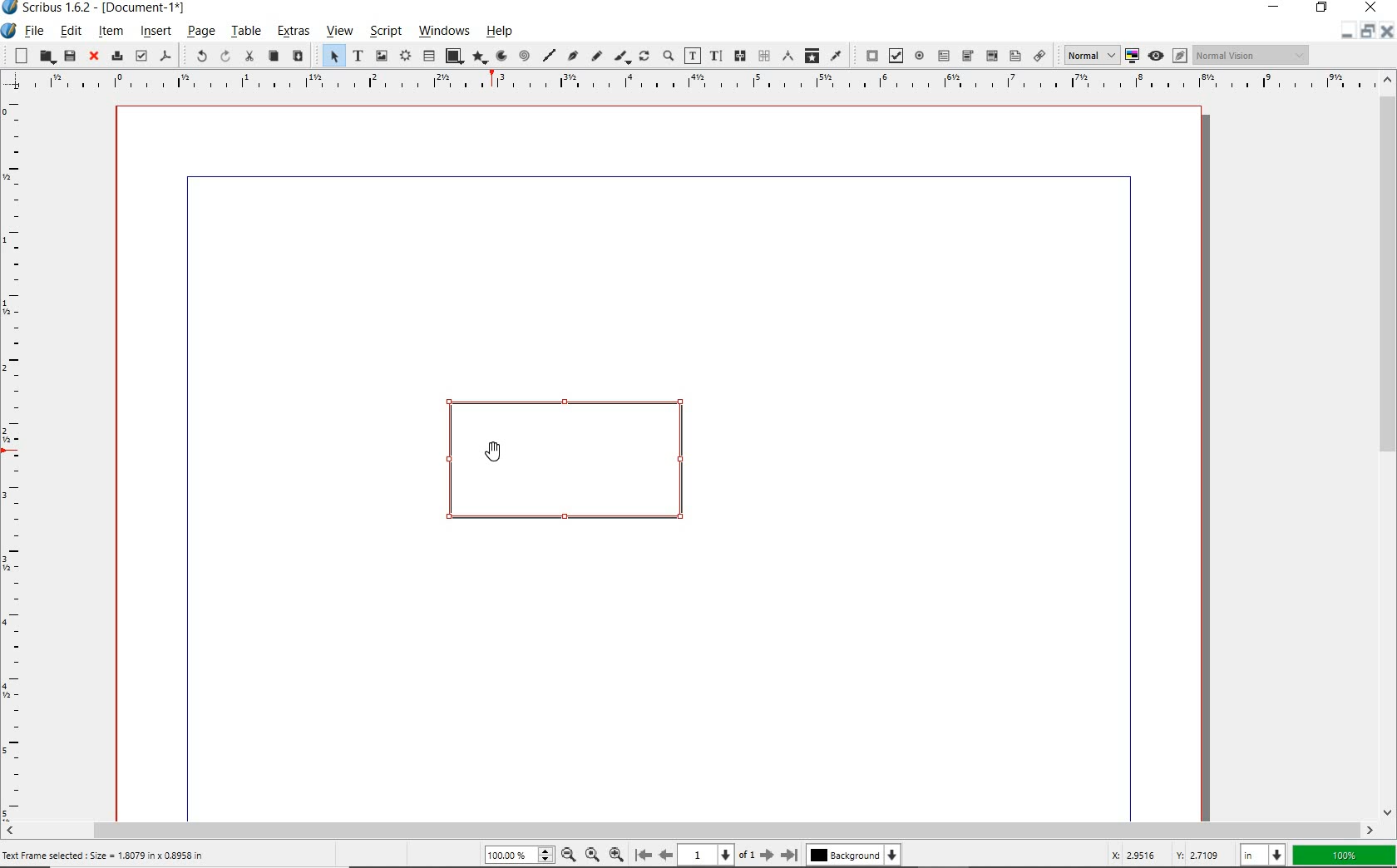 This screenshot has width=1397, height=868. What do you see at coordinates (68, 56) in the screenshot?
I see `save` at bounding box center [68, 56].